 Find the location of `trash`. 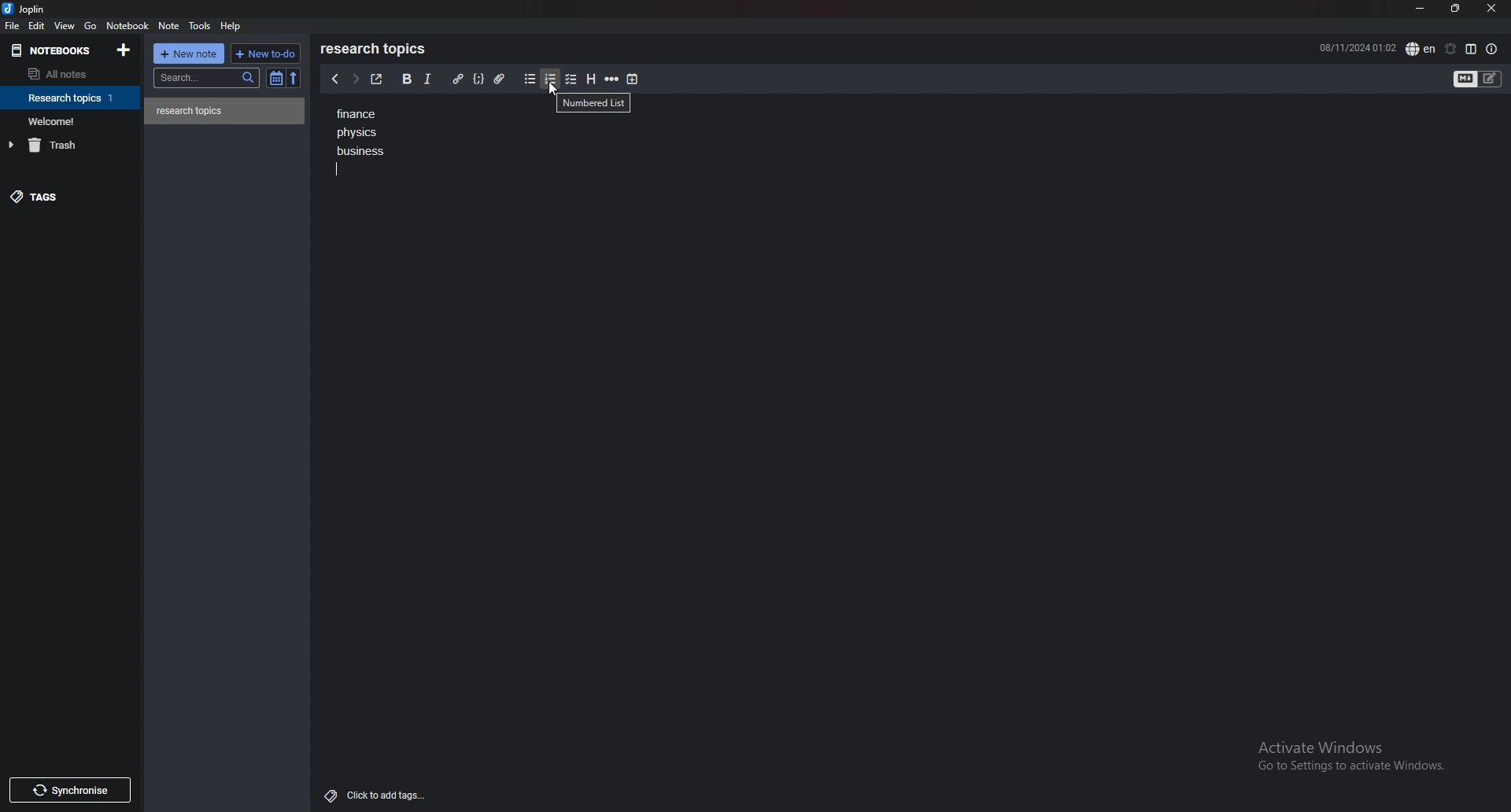

trash is located at coordinates (73, 145).